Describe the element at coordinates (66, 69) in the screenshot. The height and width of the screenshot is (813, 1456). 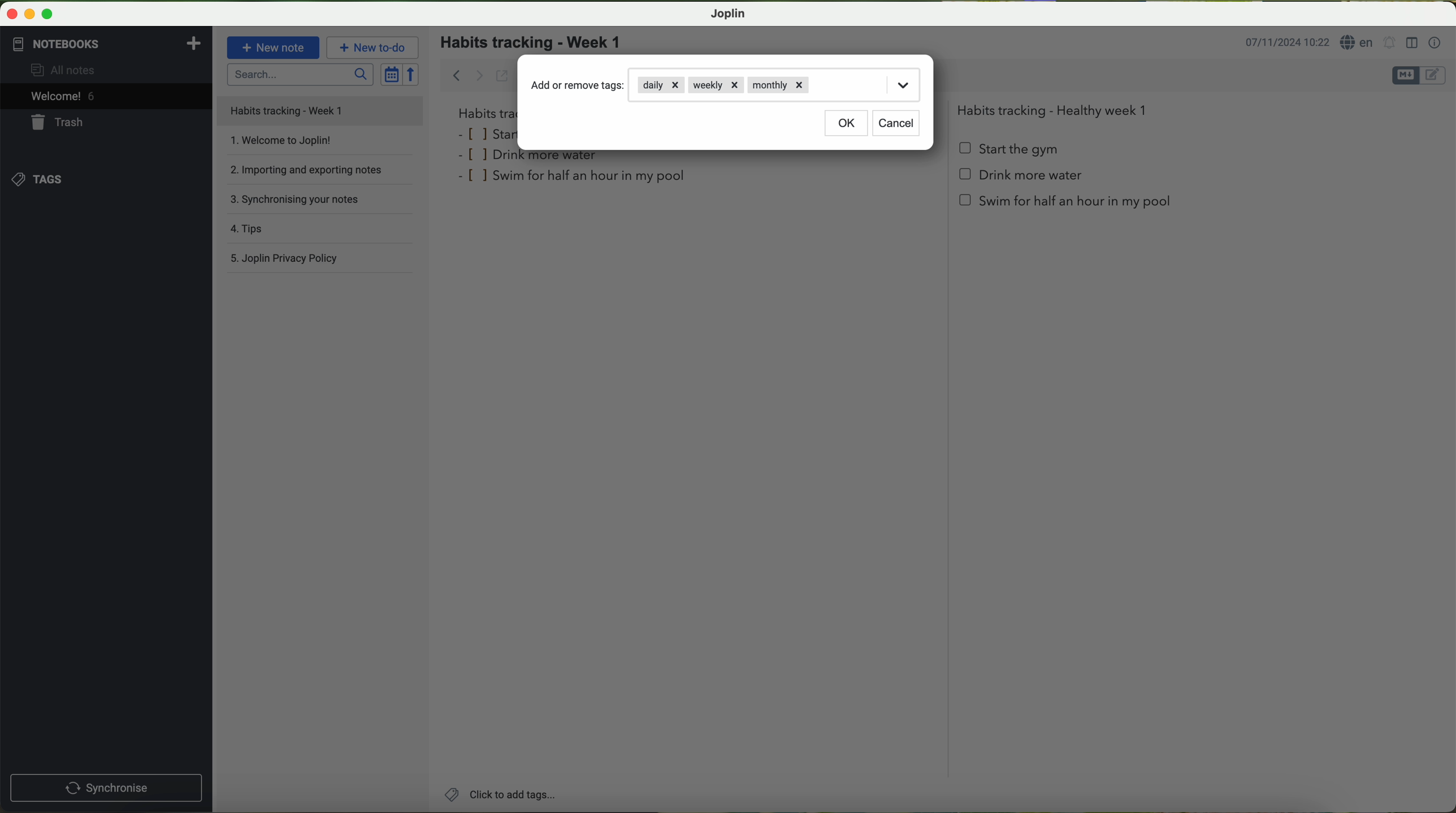
I see `all notes` at that location.